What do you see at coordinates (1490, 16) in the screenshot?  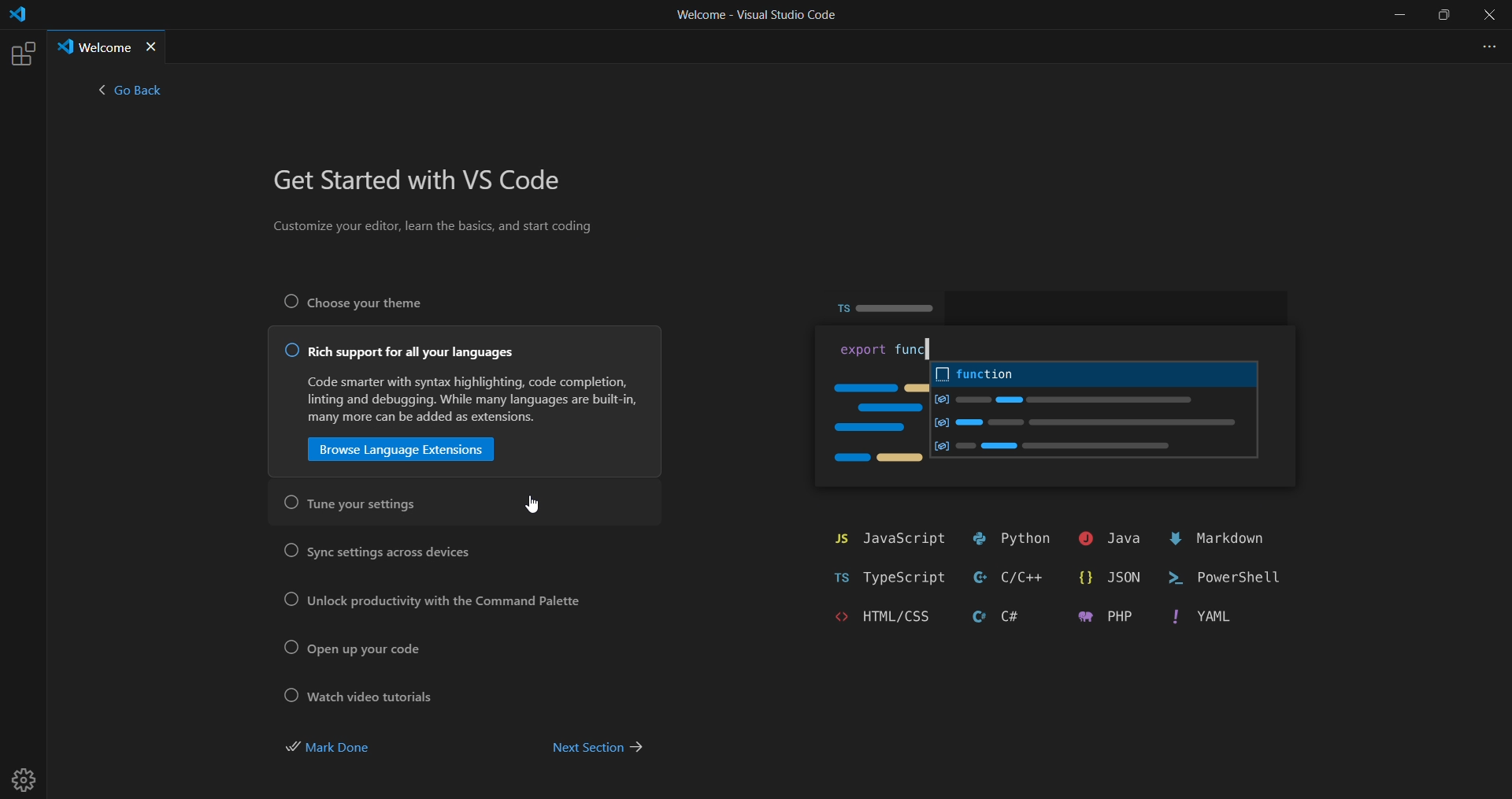 I see `close` at bounding box center [1490, 16].